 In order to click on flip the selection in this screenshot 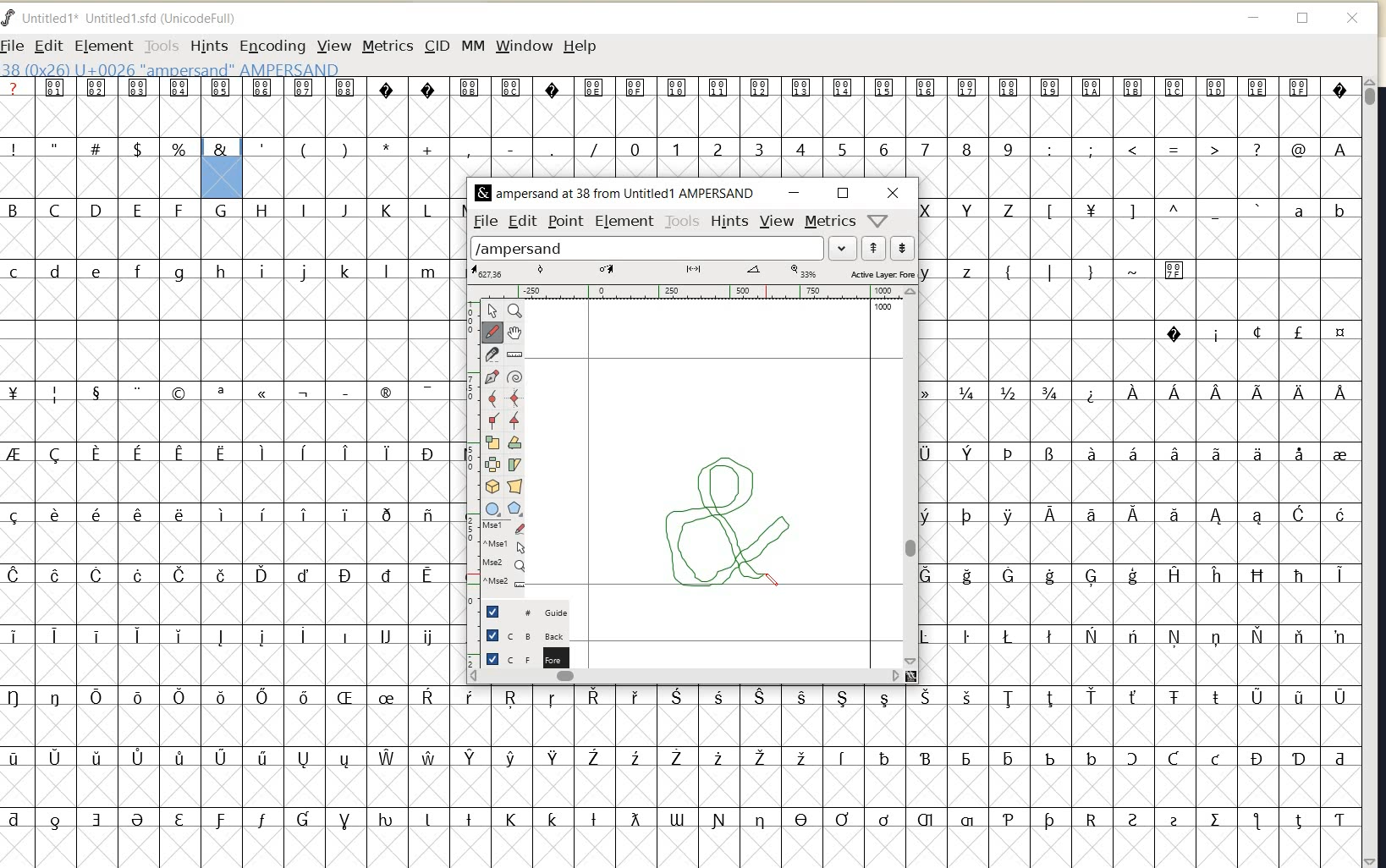, I will do `click(492, 464)`.